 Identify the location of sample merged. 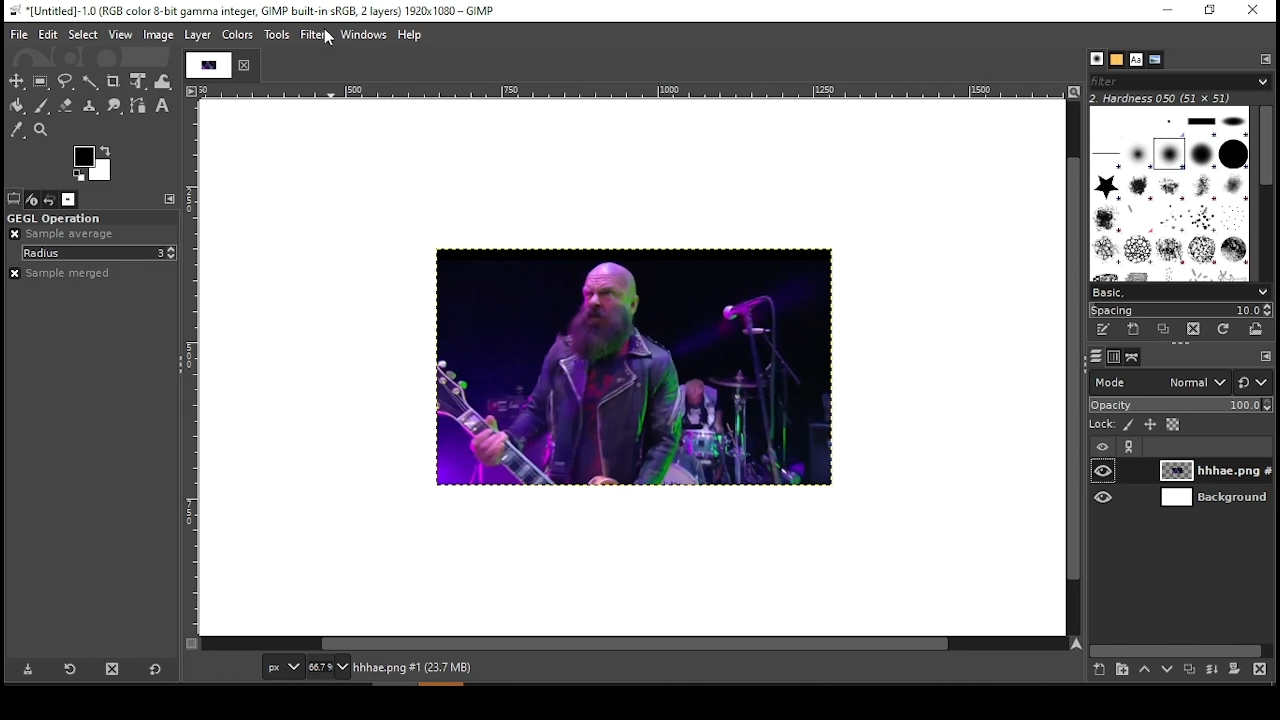
(65, 273).